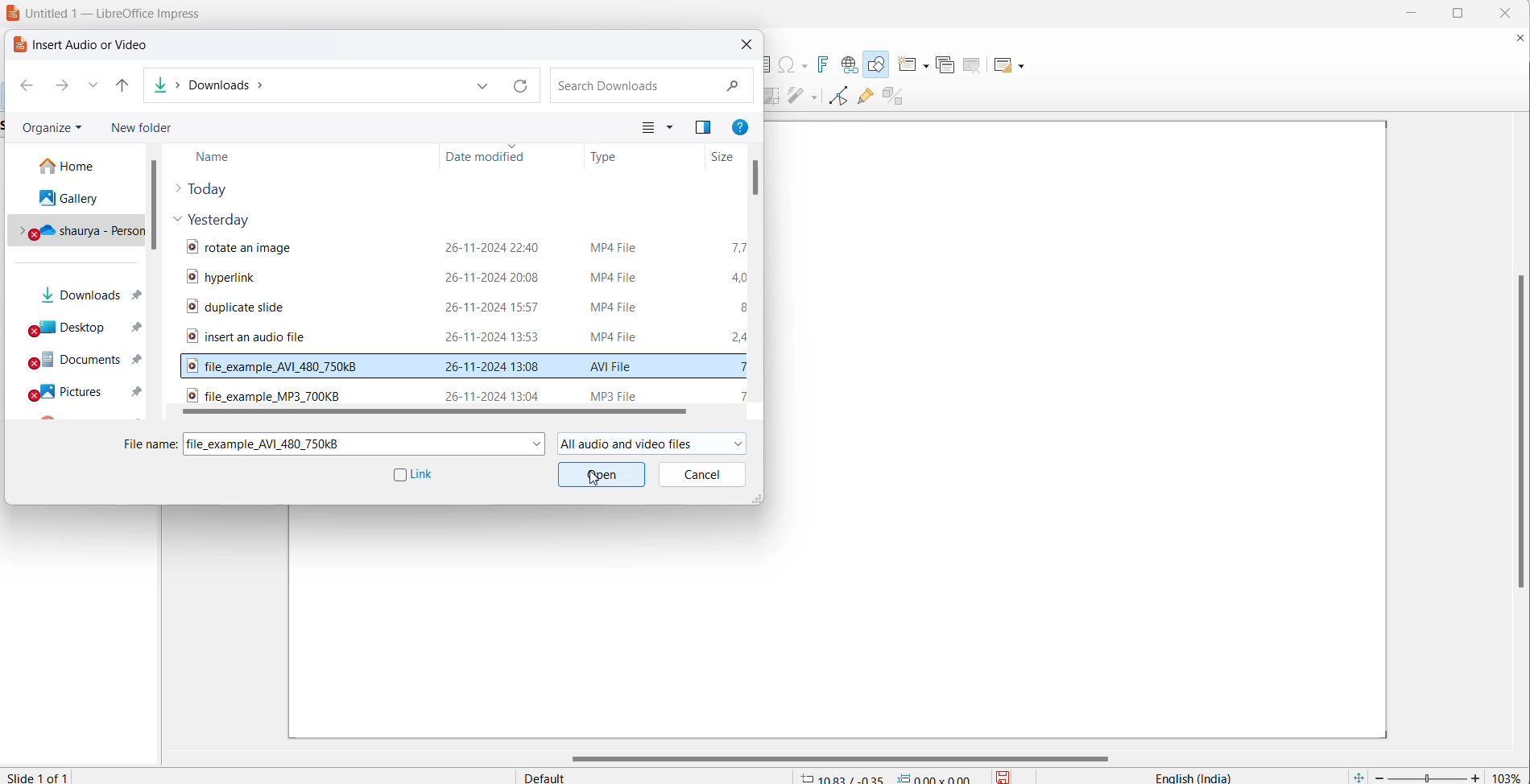  Describe the element at coordinates (1407, 12) in the screenshot. I see `minimize` at that location.